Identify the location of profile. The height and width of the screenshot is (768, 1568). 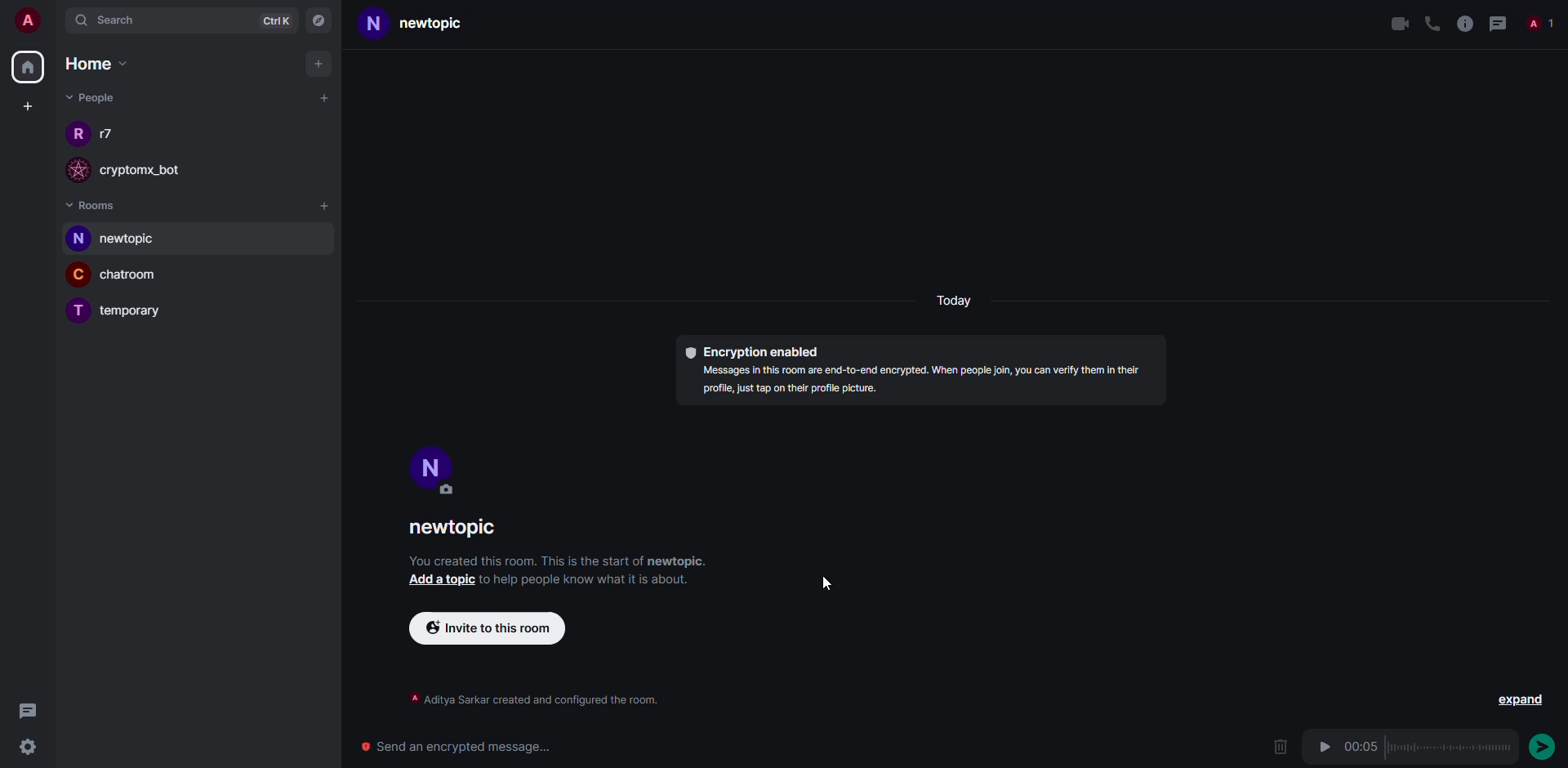
(432, 463).